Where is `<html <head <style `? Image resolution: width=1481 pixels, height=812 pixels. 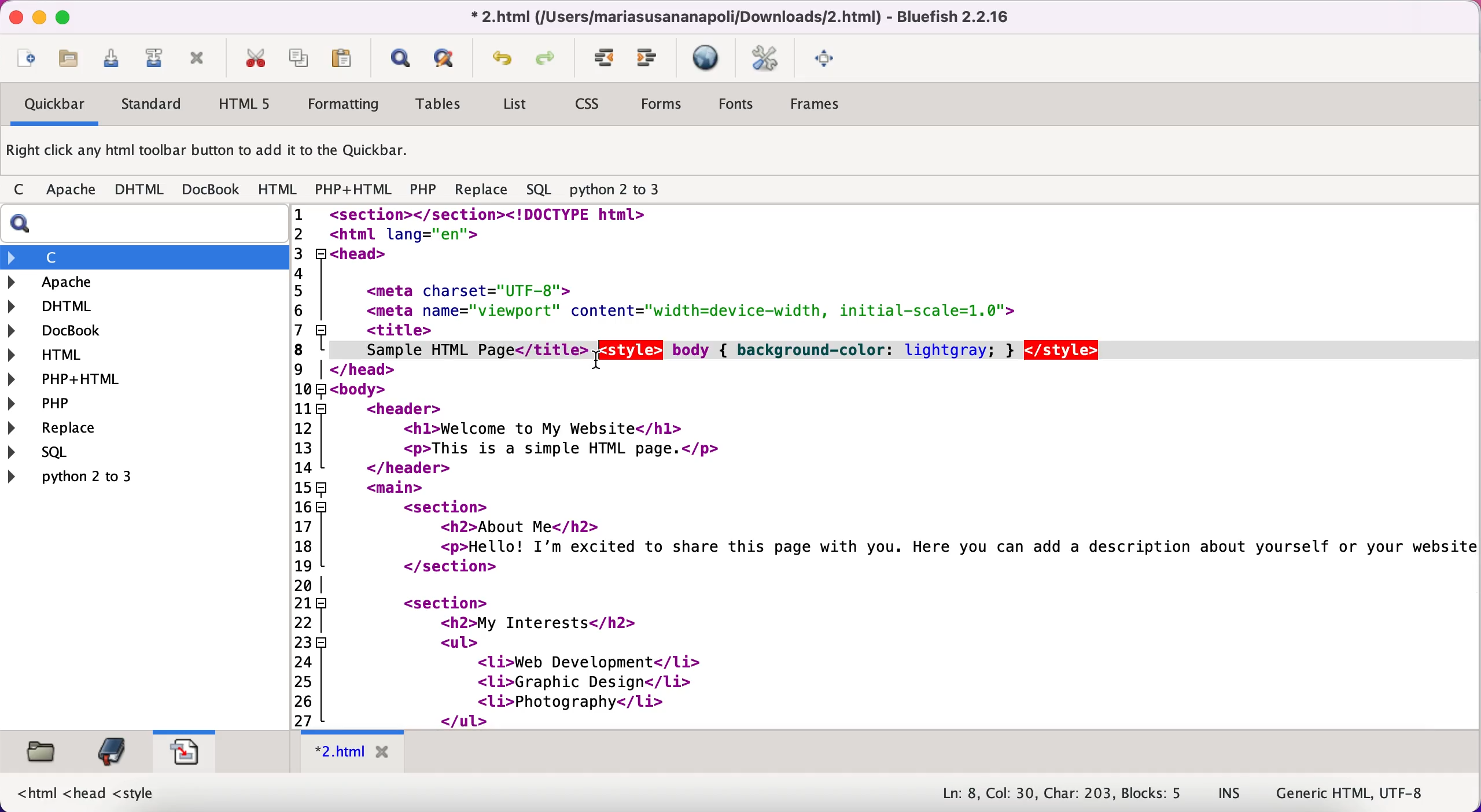
<html <head <style  is located at coordinates (85, 792).